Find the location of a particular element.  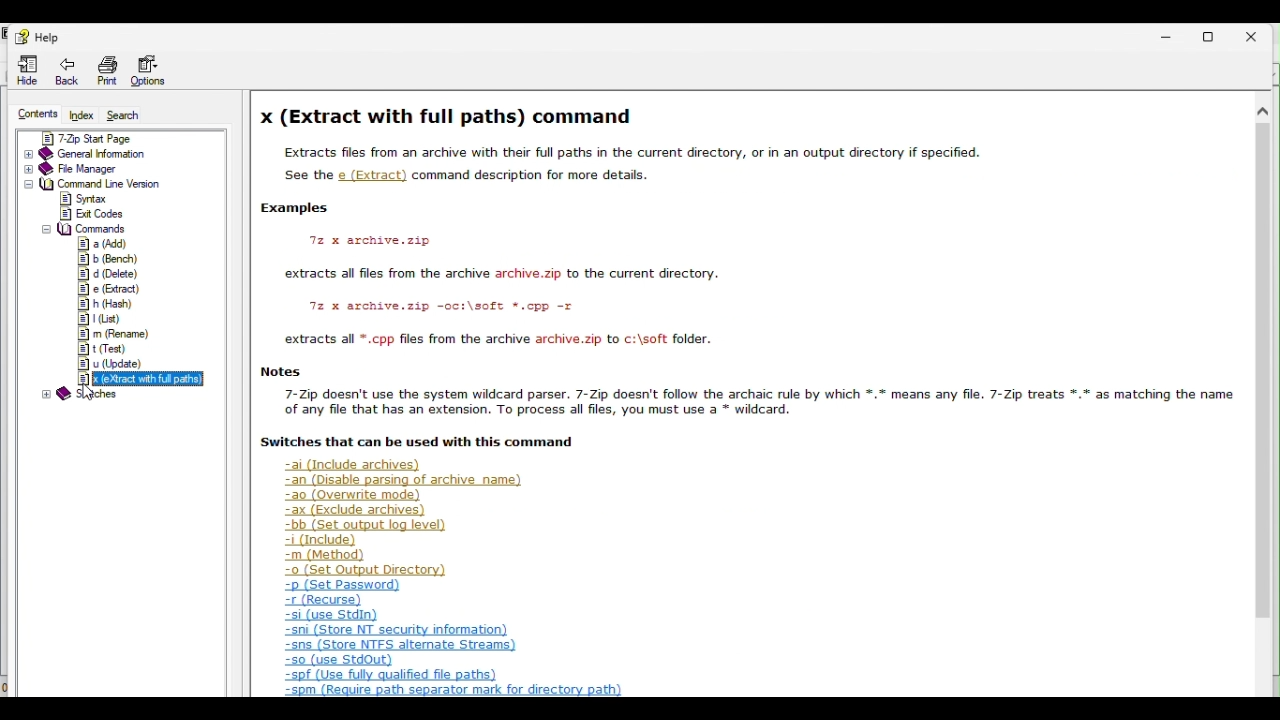

-sns is located at coordinates (403, 647).